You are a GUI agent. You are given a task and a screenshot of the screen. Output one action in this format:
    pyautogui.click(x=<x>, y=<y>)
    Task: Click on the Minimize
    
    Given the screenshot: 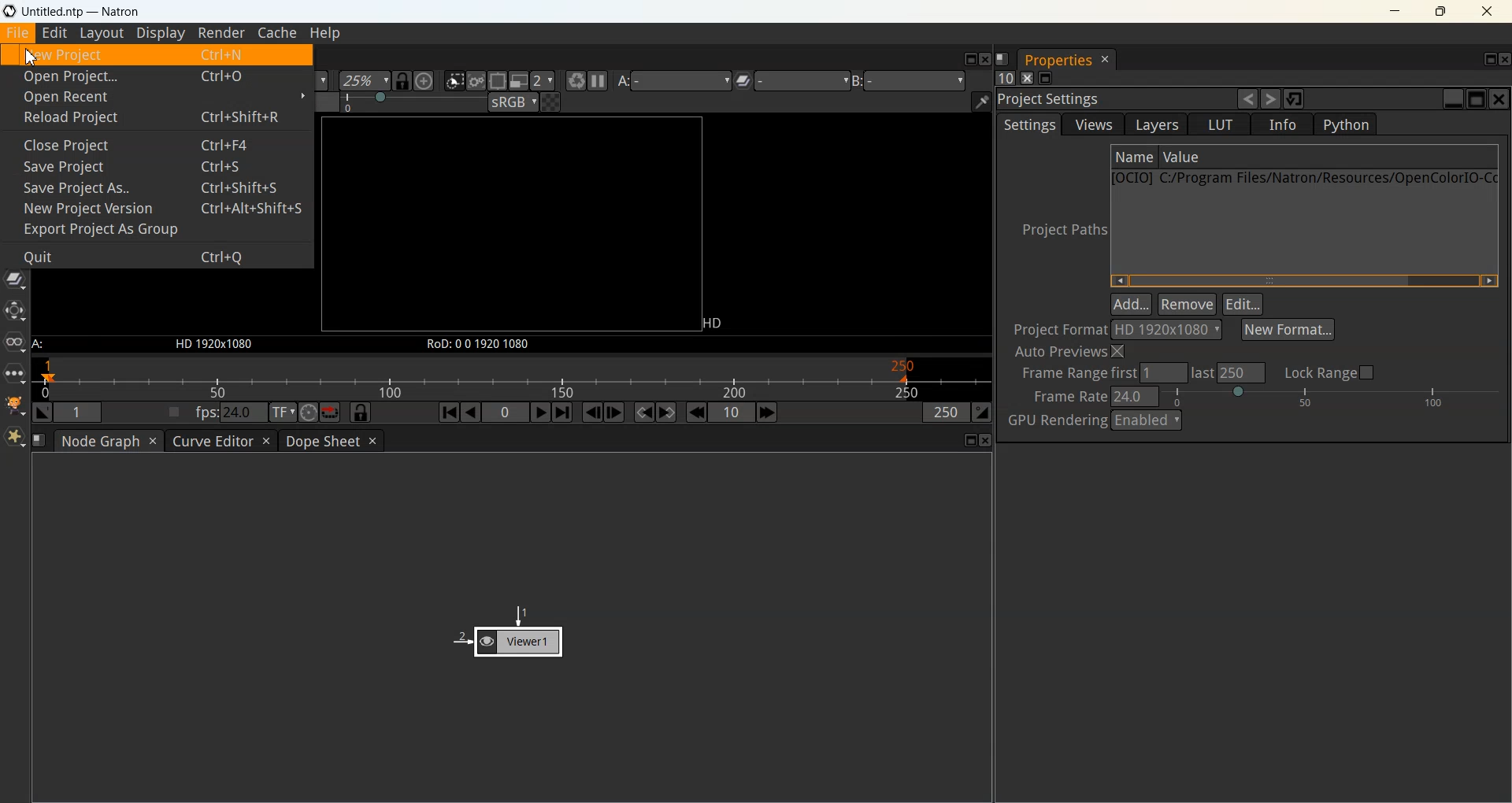 What is the action you would take?
    pyautogui.click(x=1393, y=11)
    